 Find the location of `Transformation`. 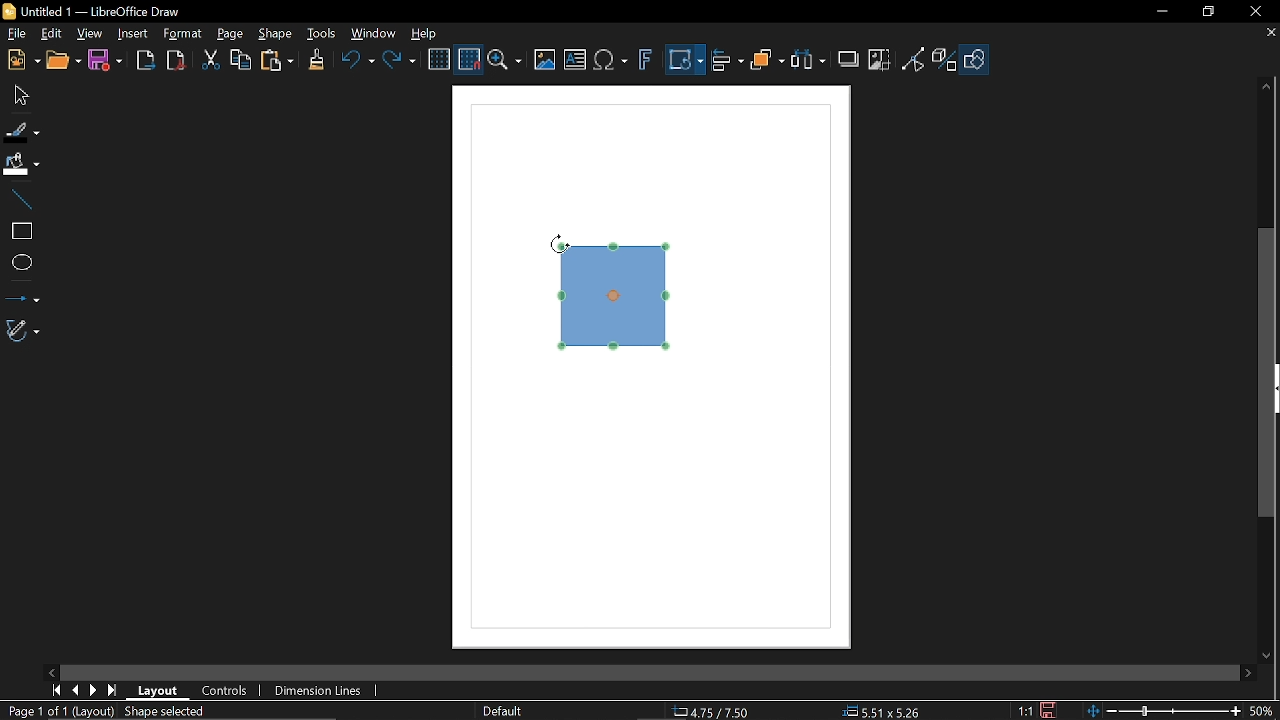

Transformation is located at coordinates (685, 61).